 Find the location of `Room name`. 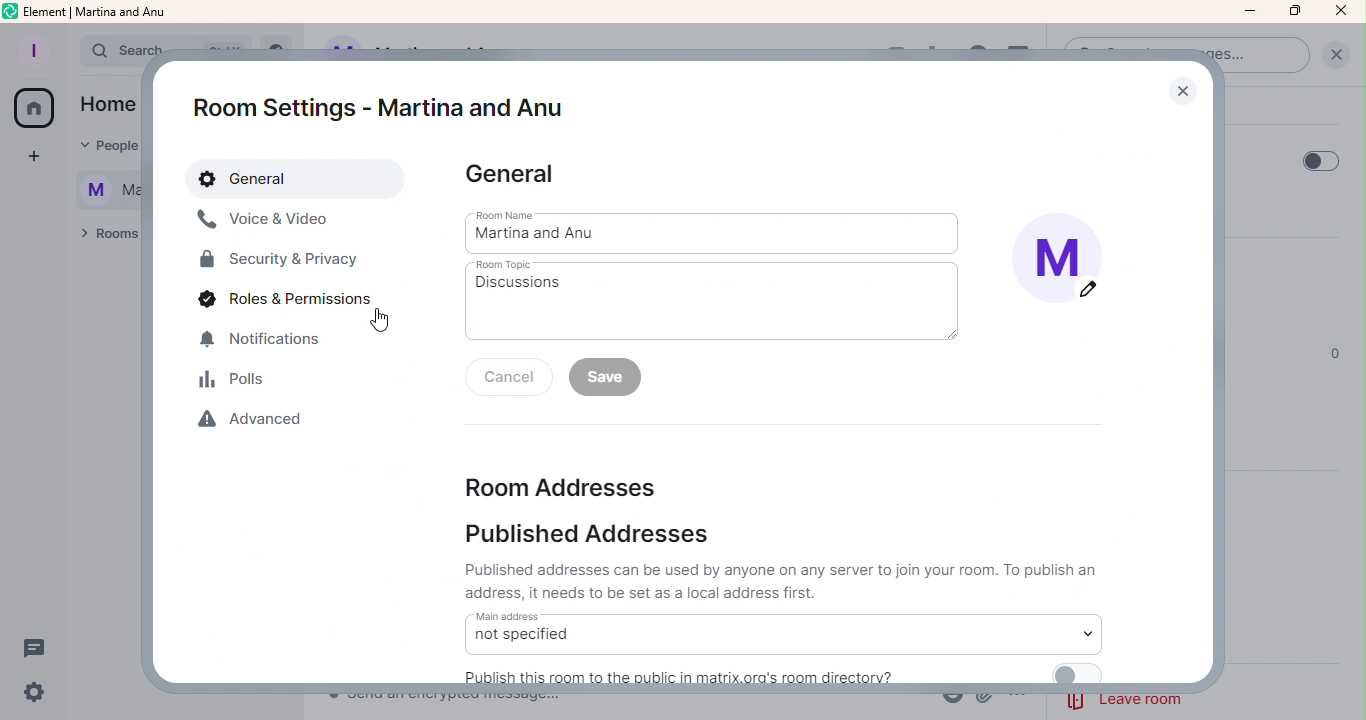

Room name is located at coordinates (715, 231).